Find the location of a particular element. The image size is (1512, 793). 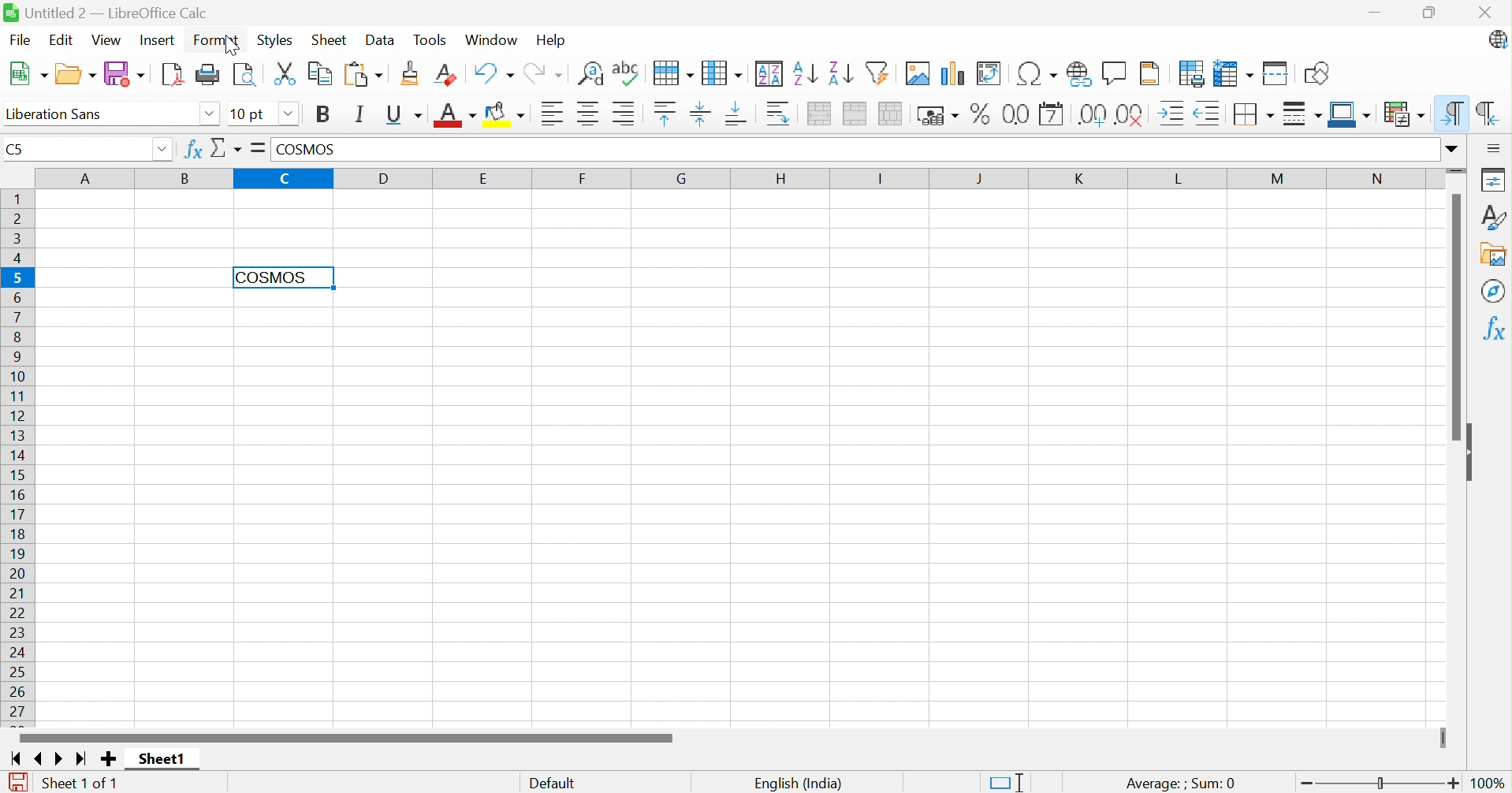

Drop Down is located at coordinates (208, 116).